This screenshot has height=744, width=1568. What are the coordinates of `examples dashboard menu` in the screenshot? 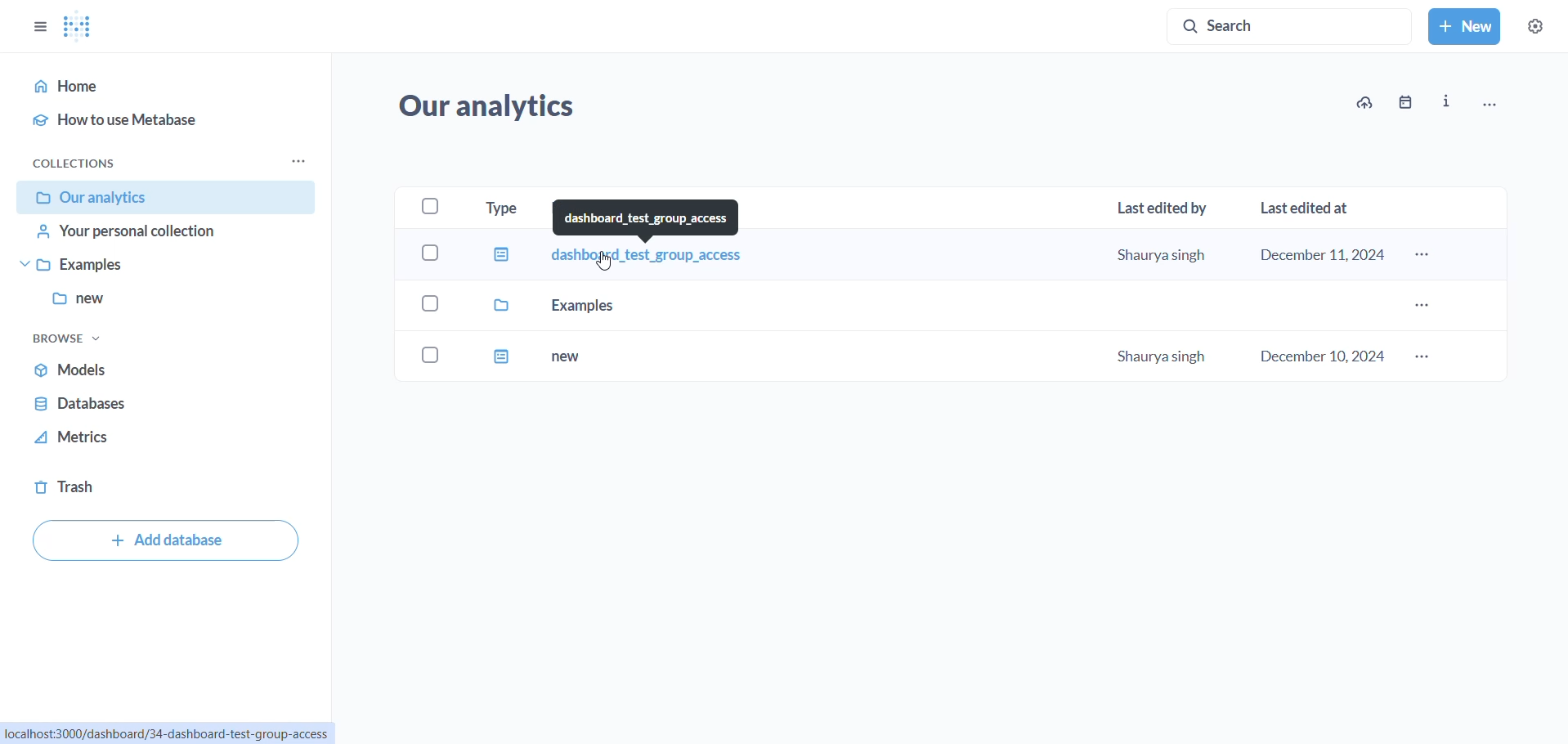 It's located at (1431, 307).